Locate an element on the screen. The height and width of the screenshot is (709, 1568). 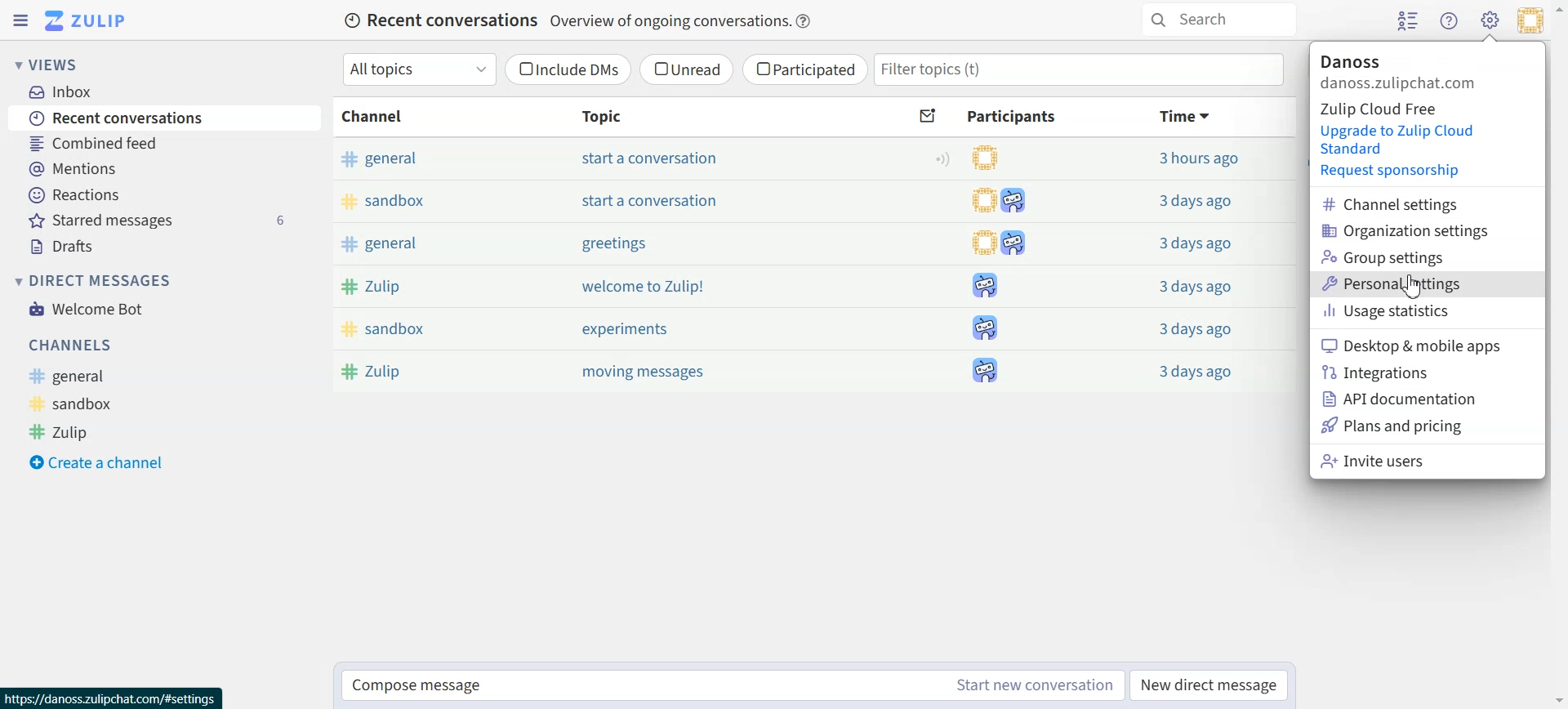
Participated is located at coordinates (805, 69).